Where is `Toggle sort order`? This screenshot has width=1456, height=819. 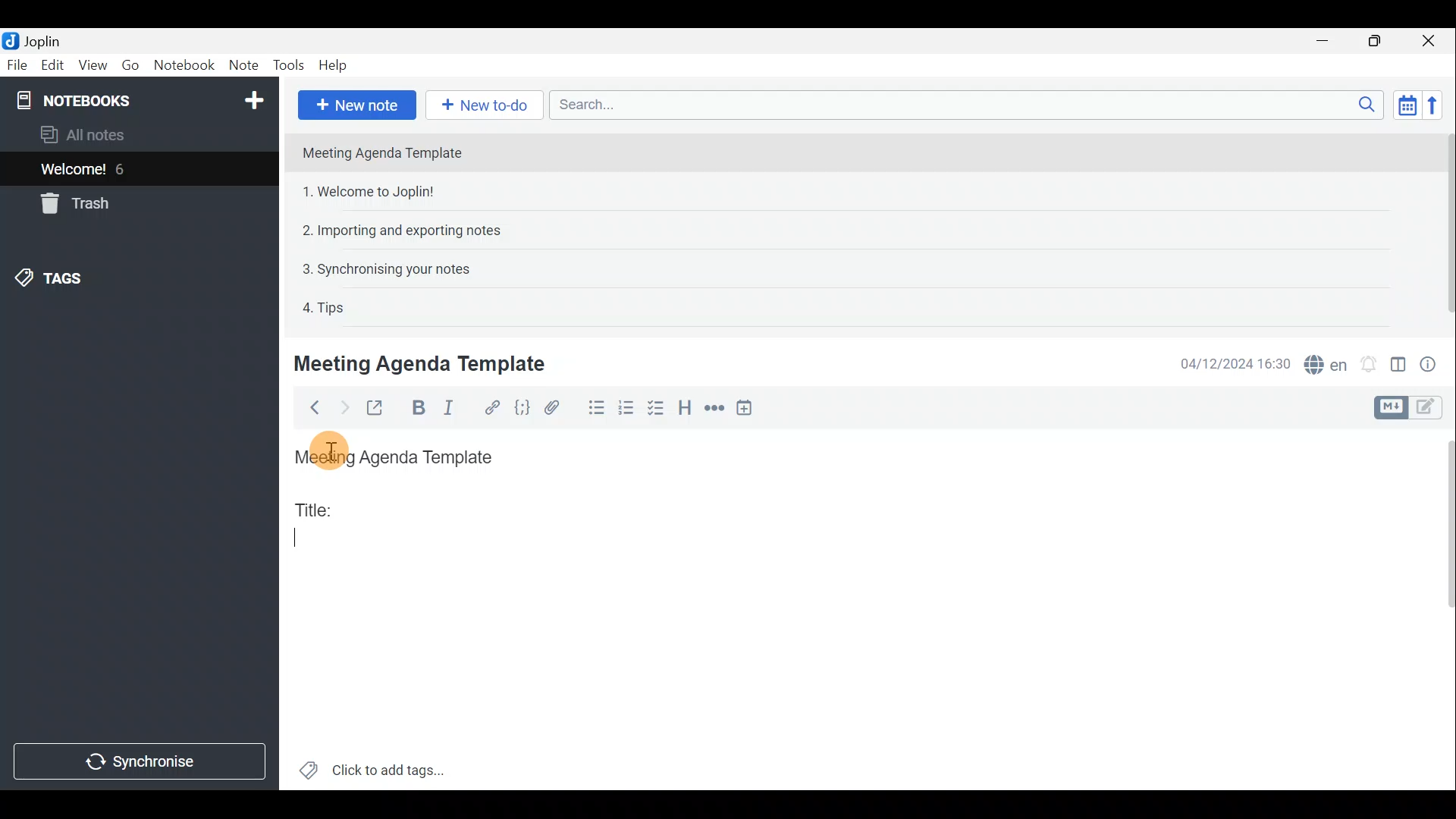
Toggle sort order is located at coordinates (1404, 103).